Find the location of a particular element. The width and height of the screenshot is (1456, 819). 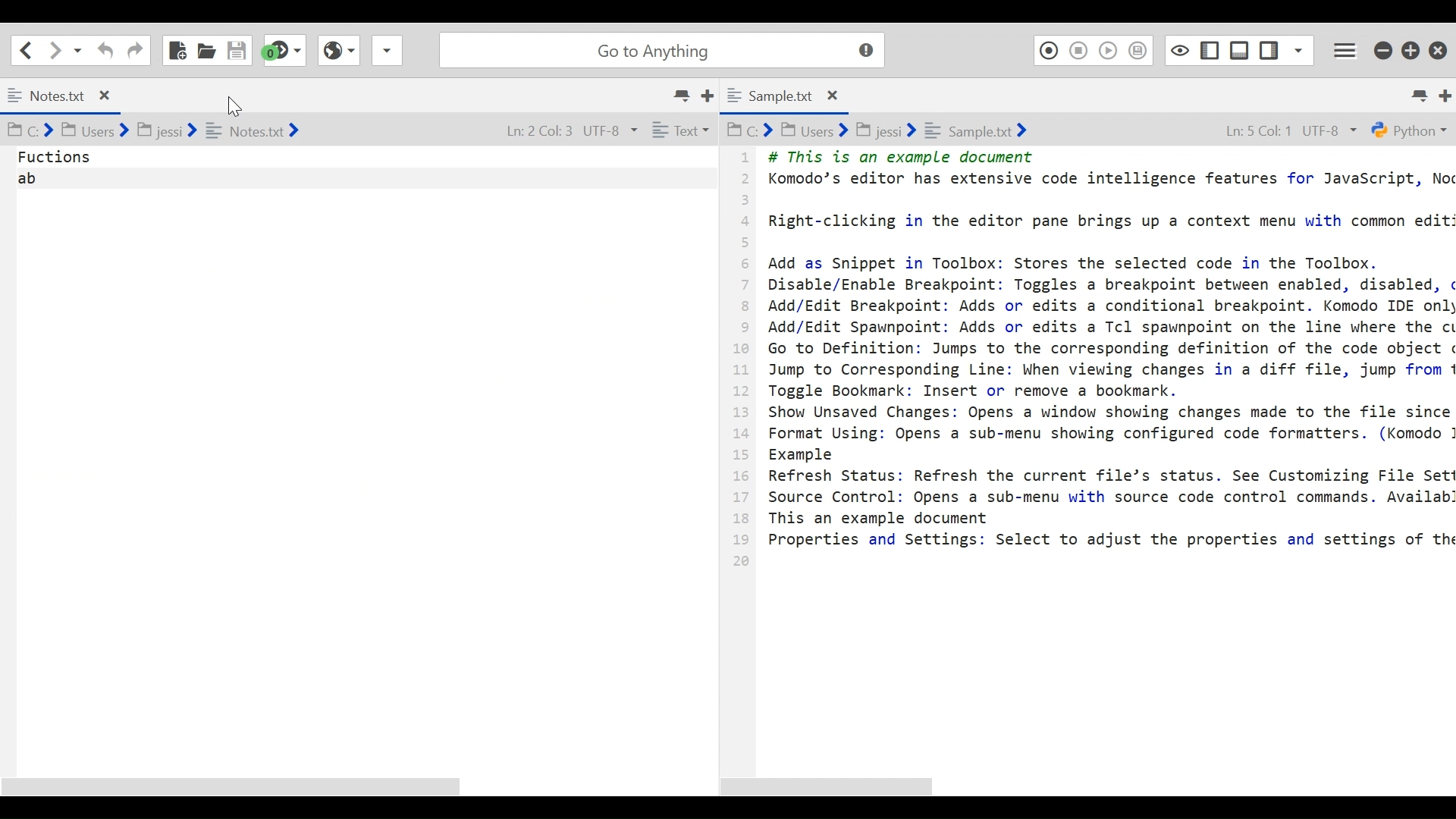

Ln: 5 Col: 1 is located at coordinates (1255, 130).